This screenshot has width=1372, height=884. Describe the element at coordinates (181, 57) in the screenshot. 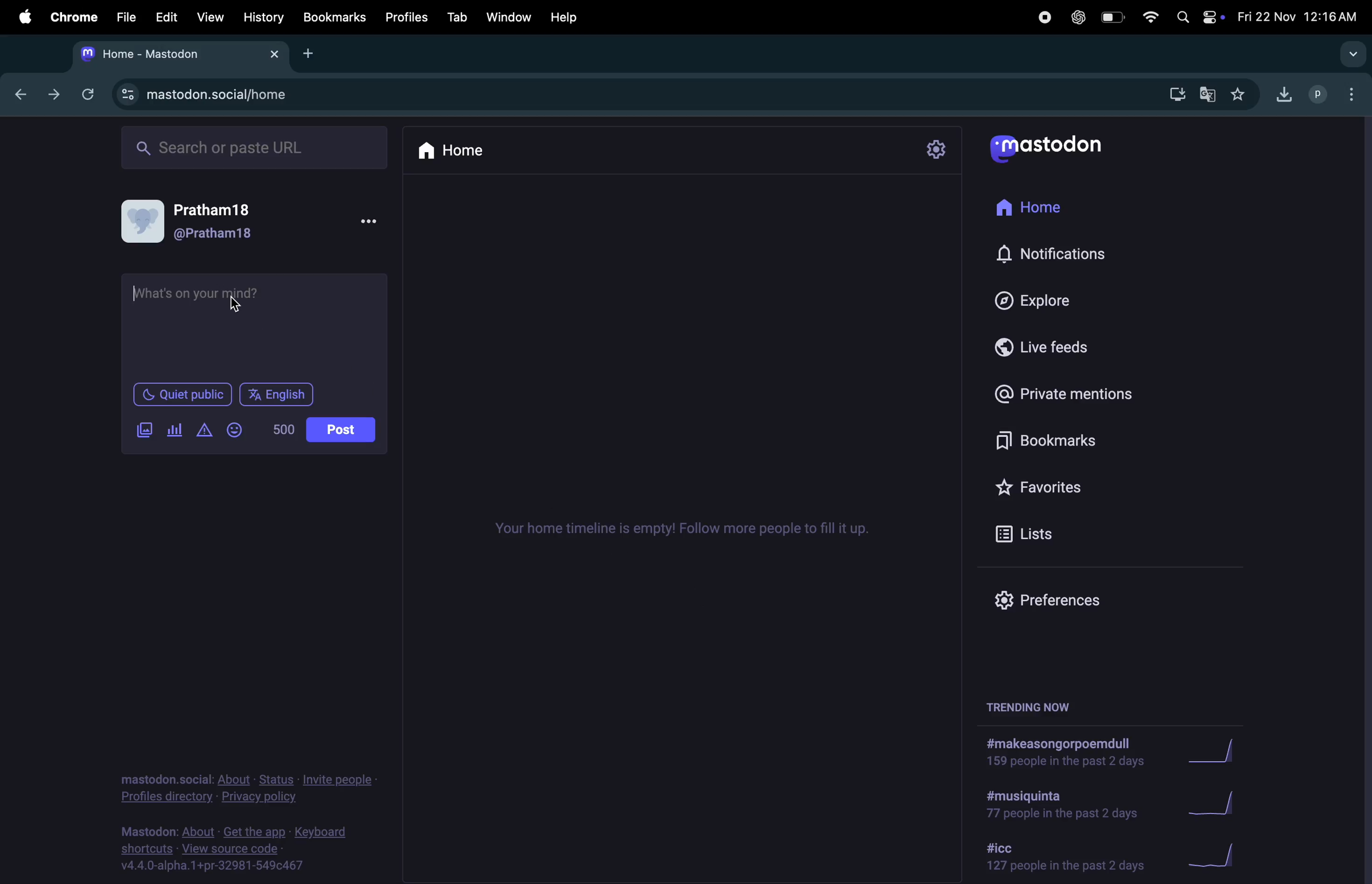

I see `mastodon tab` at that location.